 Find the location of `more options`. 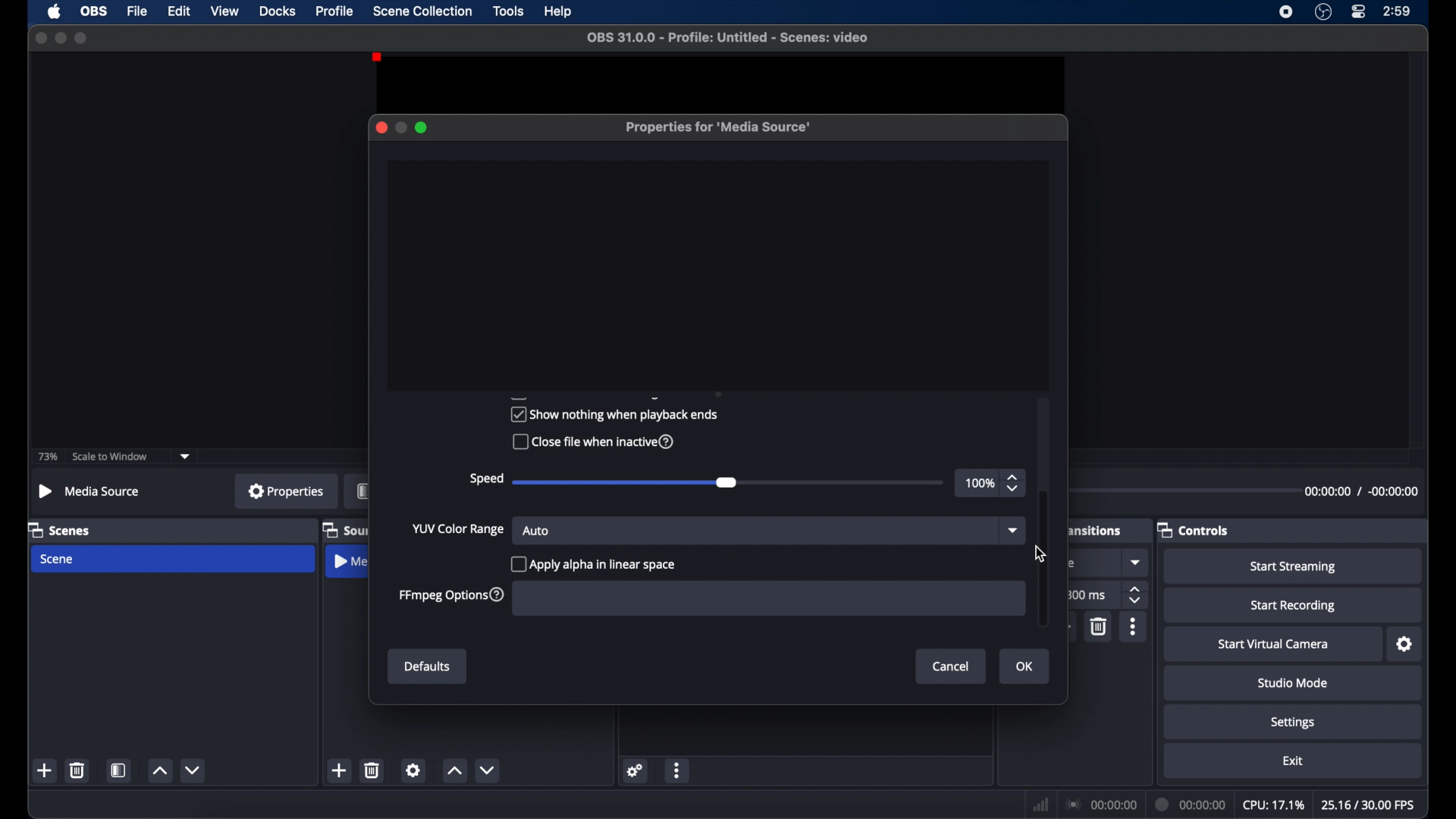

more options is located at coordinates (677, 770).